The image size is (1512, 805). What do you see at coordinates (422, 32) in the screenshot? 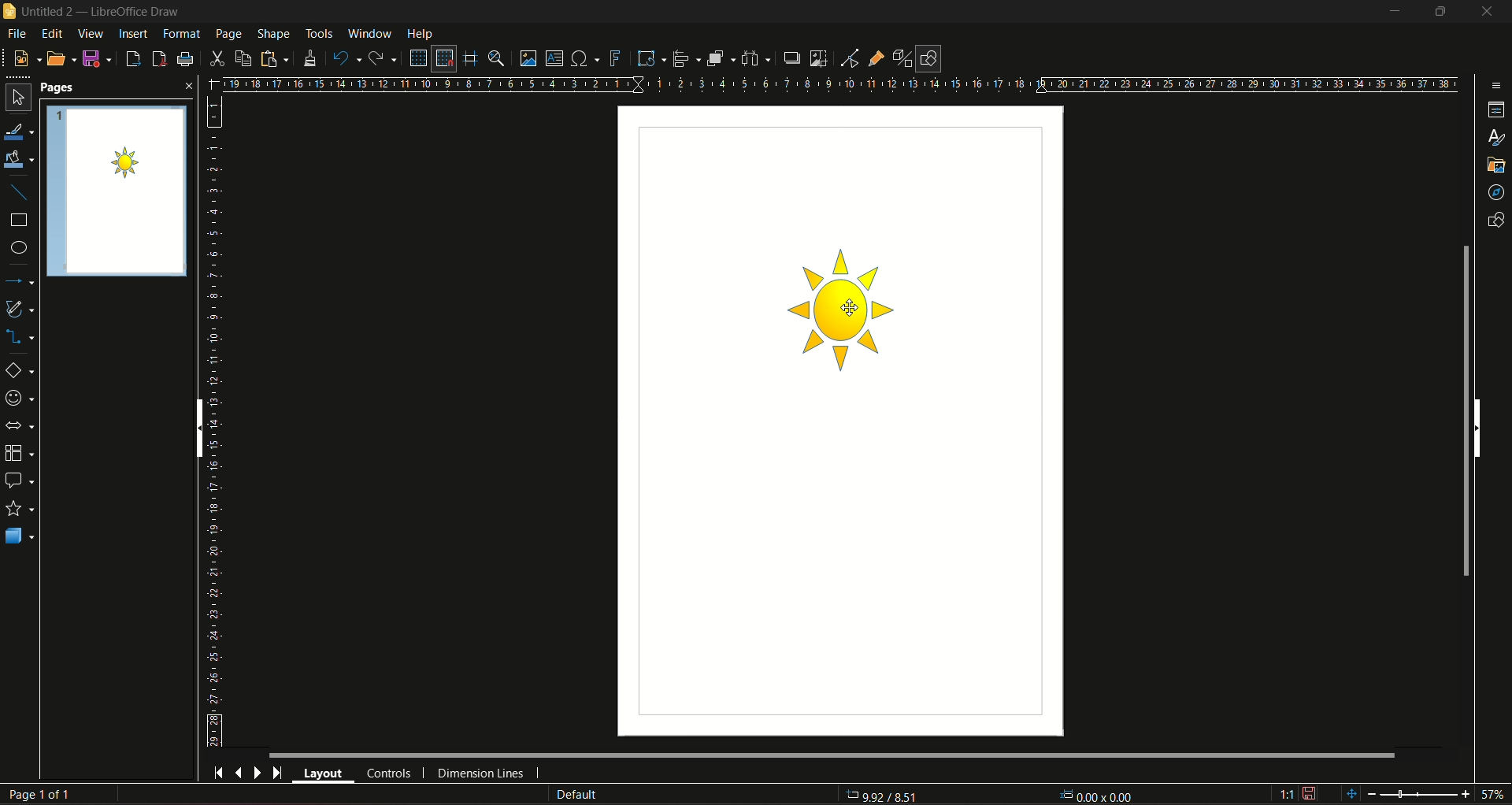
I see `help` at bounding box center [422, 32].